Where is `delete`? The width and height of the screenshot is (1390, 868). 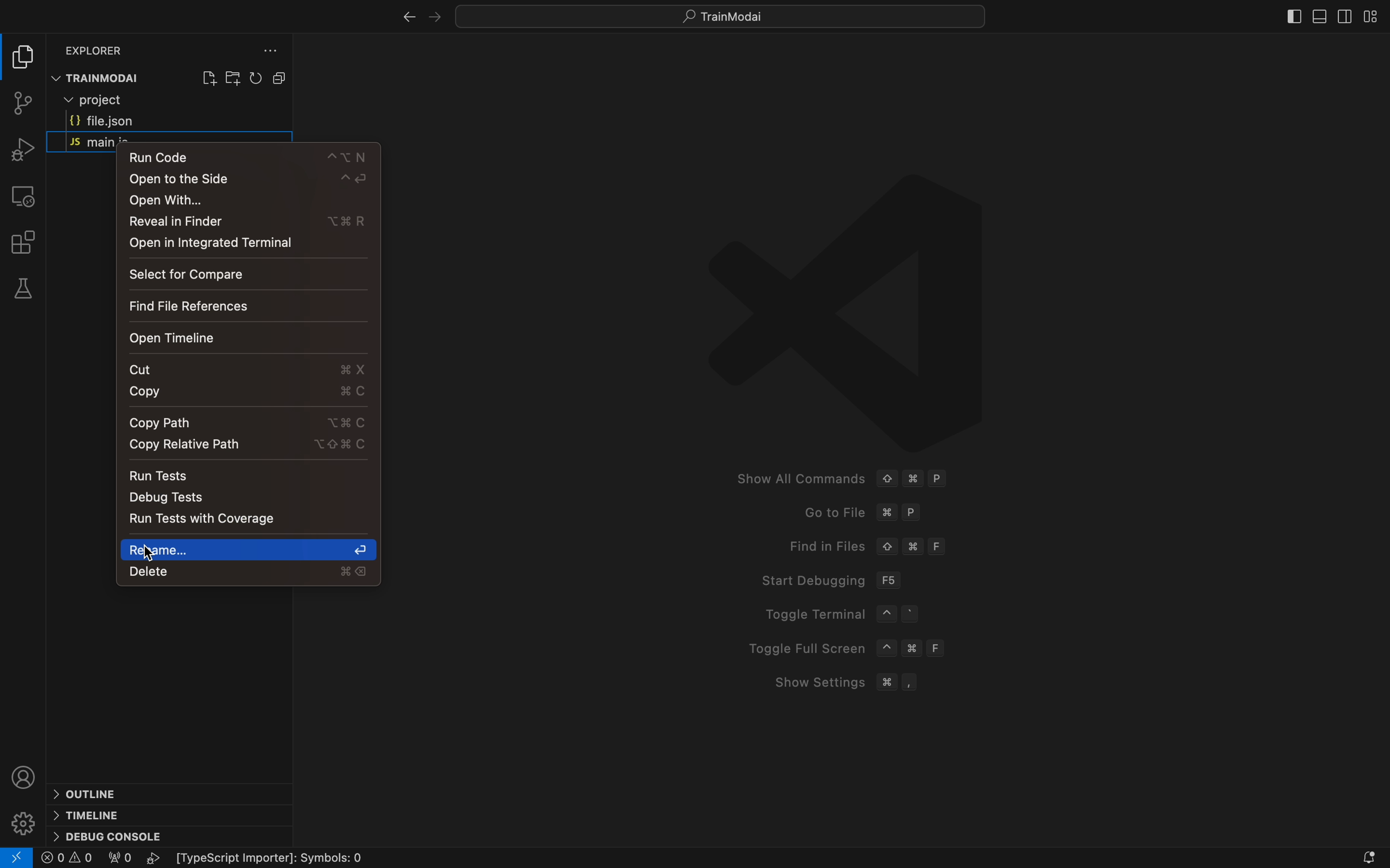
delete is located at coordinates (246, 573).